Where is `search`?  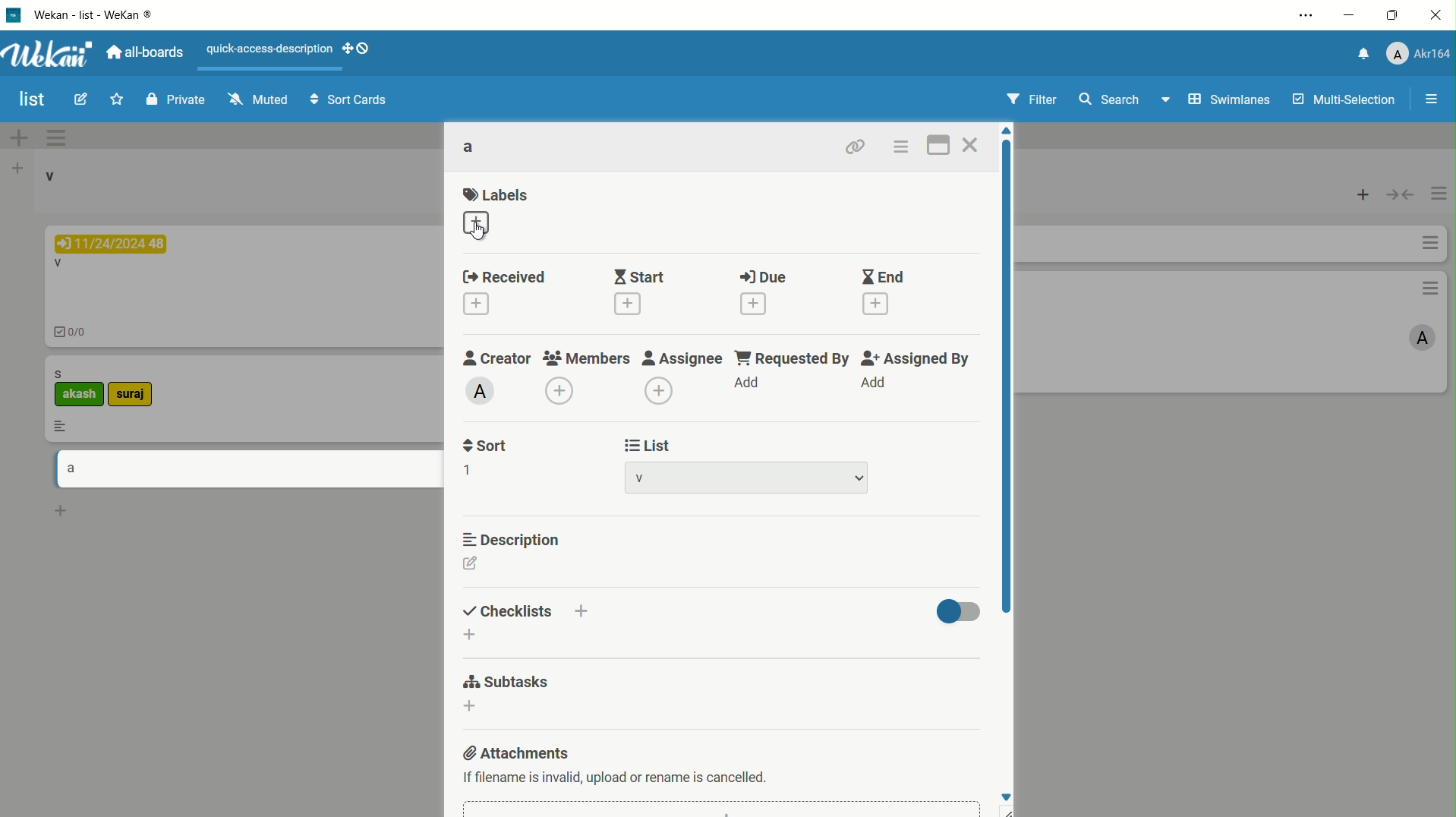
search is located at coordinates (1111, 99).